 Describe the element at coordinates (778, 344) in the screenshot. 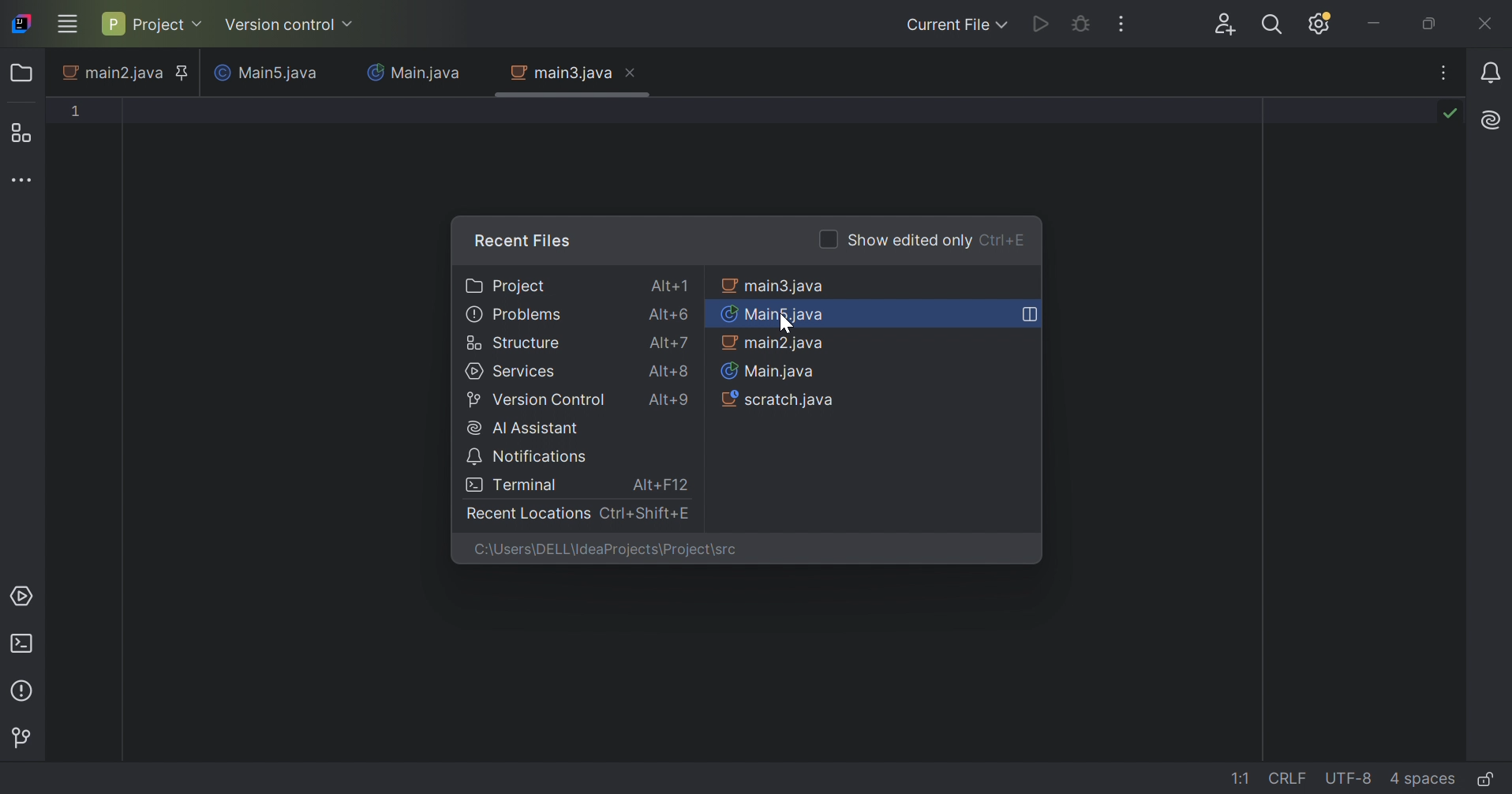

I see `main2.java` at that location.